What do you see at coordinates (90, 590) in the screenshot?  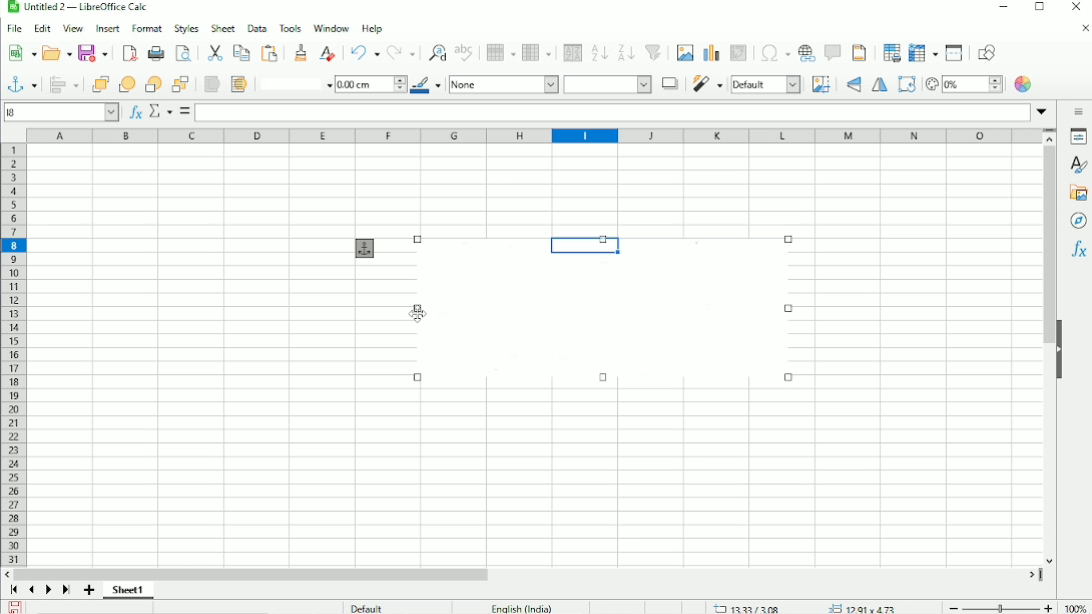 I see `Add sheet` at bounding box center [90, 590].